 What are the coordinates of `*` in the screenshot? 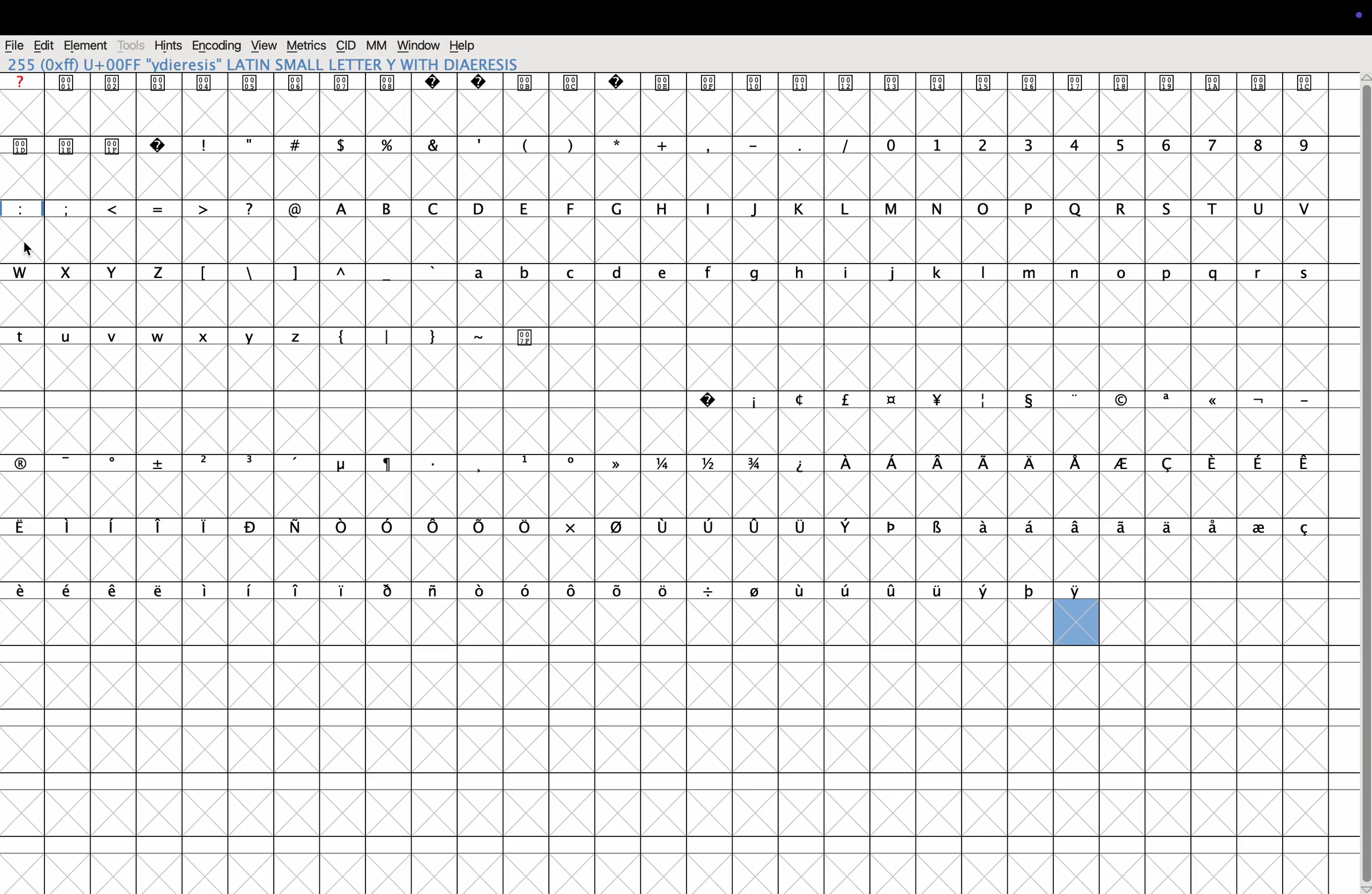 It's located at (620, 167).